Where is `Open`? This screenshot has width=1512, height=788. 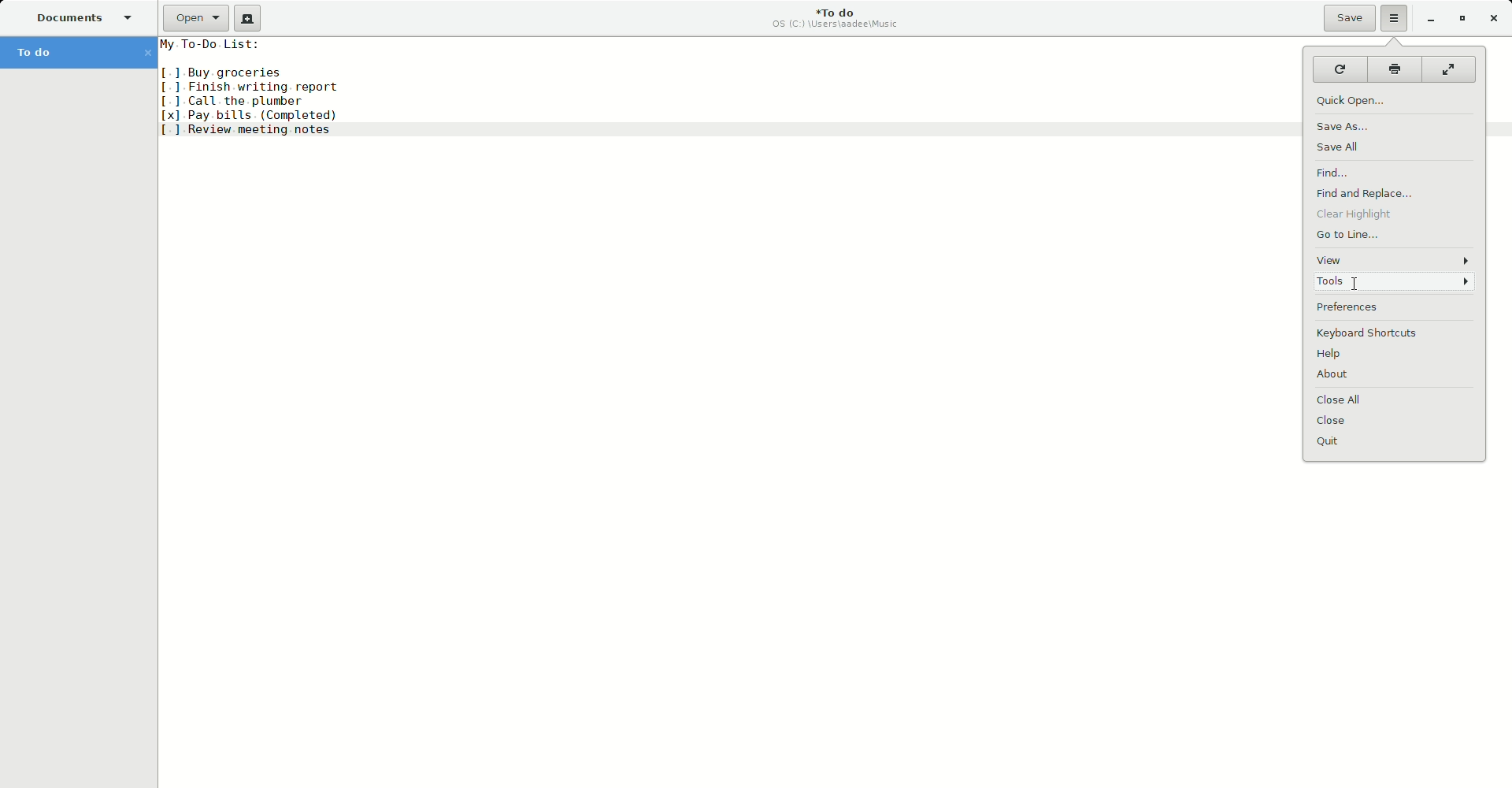 Open is located at coordinates (194, 19).